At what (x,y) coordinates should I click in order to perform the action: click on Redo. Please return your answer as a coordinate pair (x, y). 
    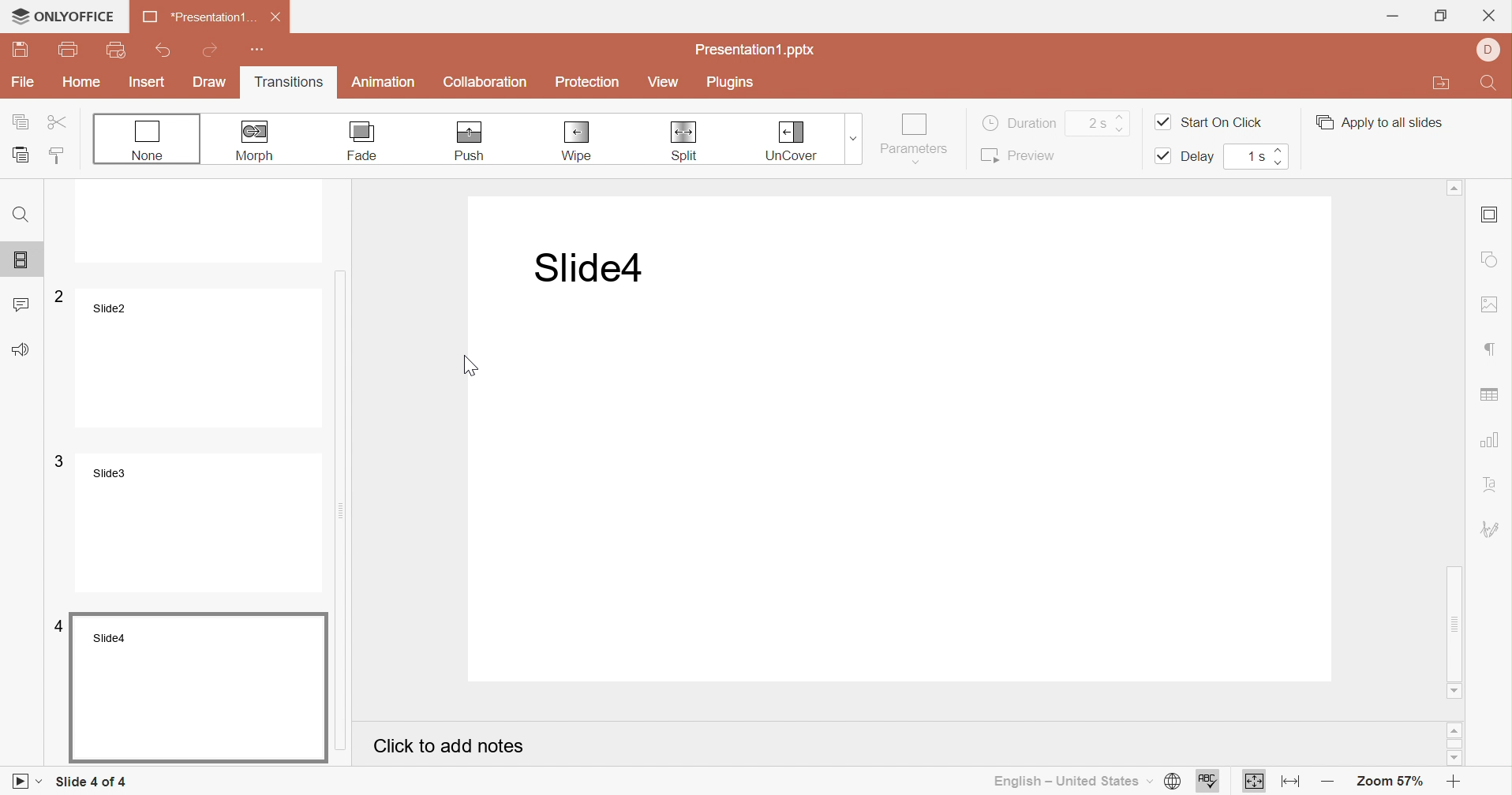
    Looking at the image, I should click on (211, 50).